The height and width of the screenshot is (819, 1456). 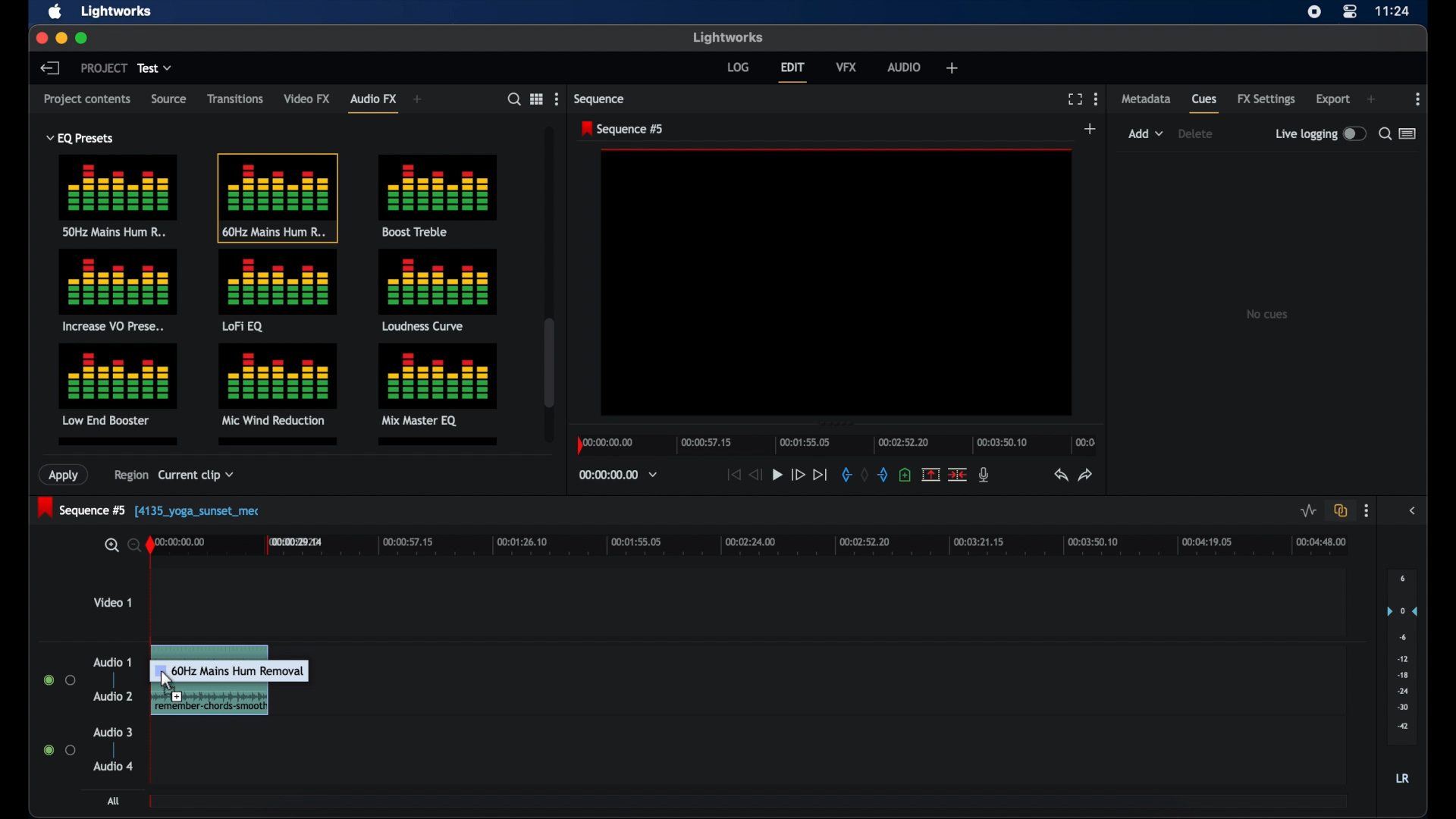 I want to click on add, so click(x=1146, y=133).